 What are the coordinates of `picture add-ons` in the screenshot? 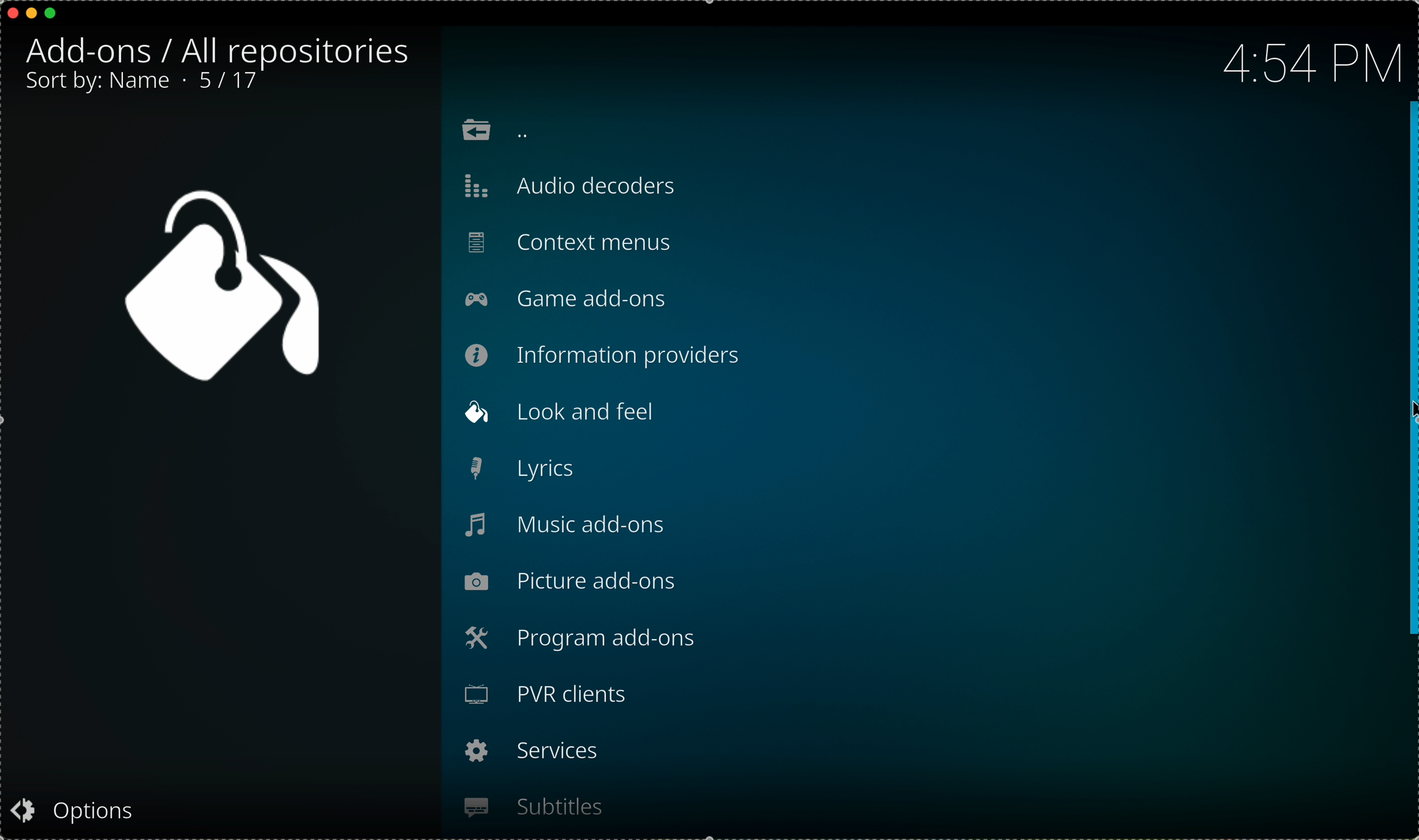 It's located at (575, 582).